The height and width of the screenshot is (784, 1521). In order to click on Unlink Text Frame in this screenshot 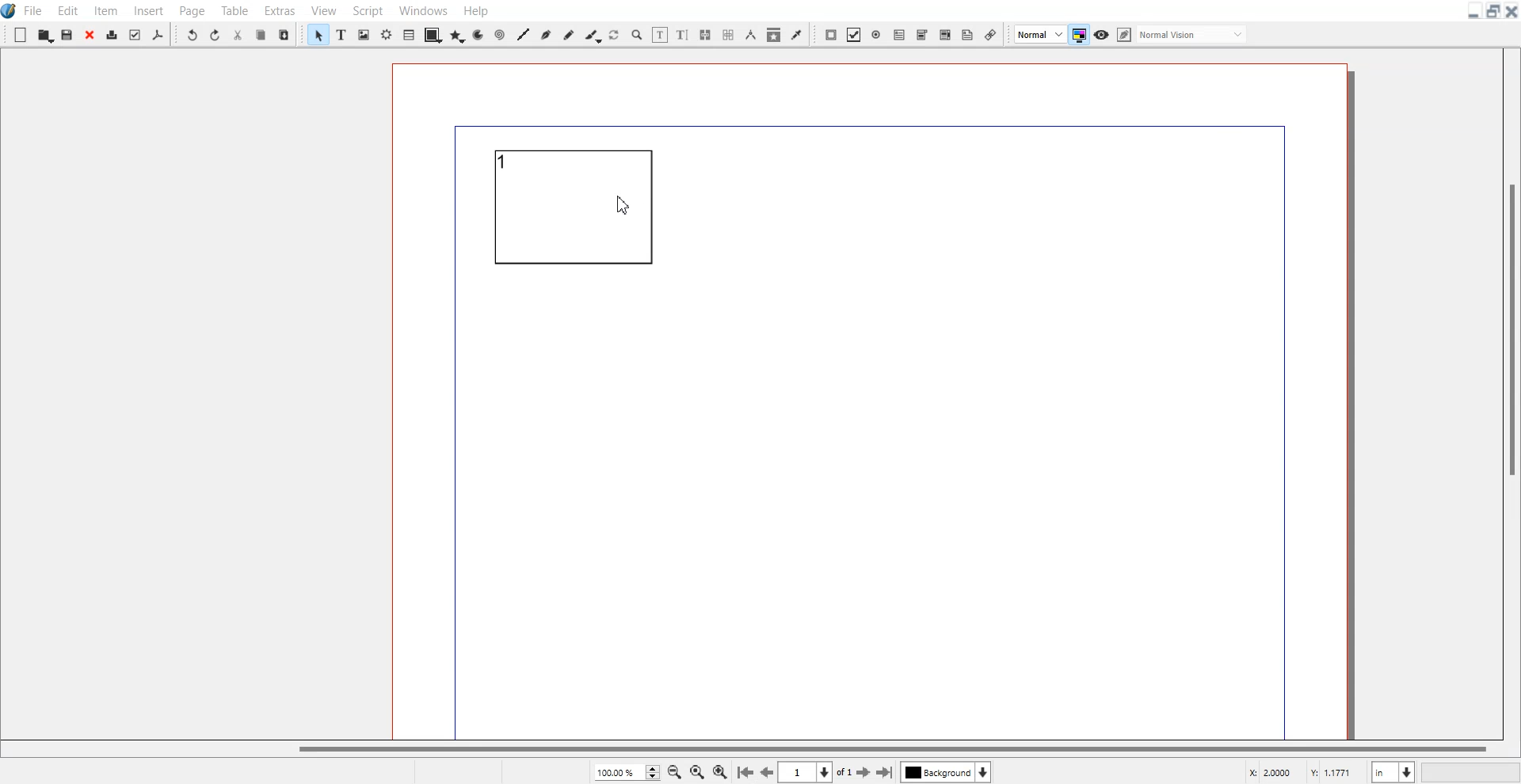, I will do `click(726, 35)`.